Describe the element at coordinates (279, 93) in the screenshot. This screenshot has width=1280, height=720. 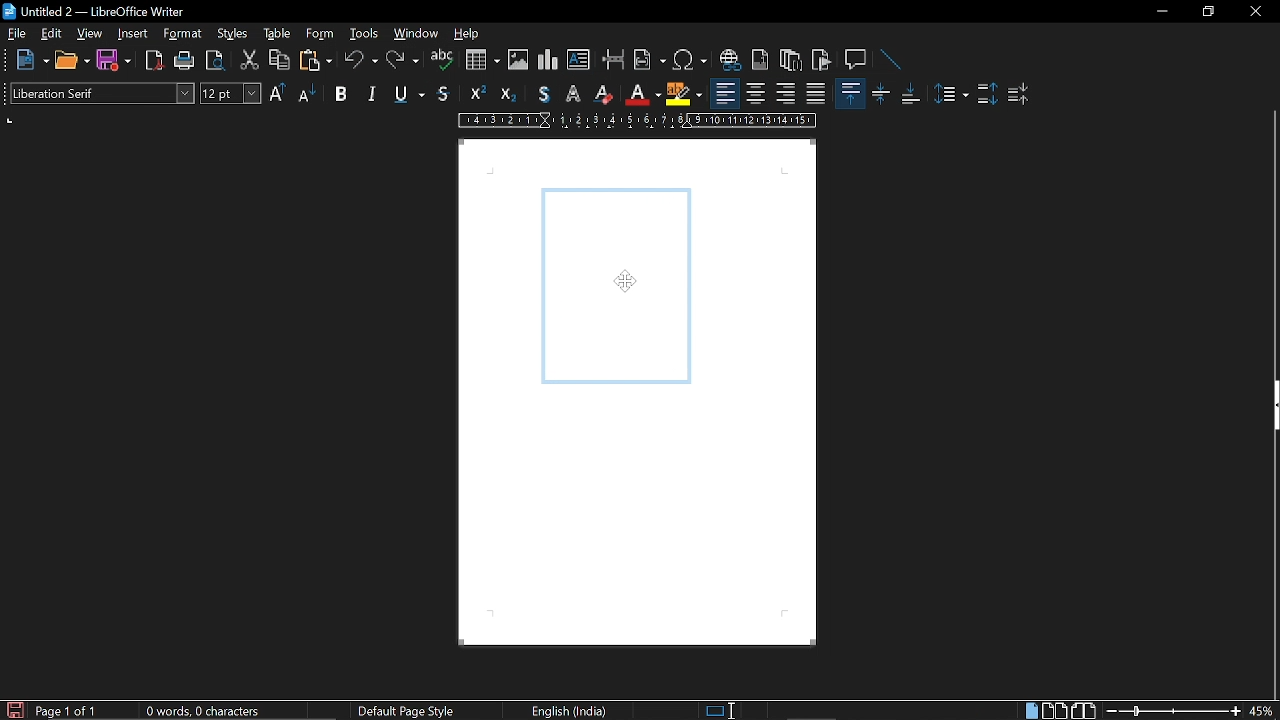
I see `Increase text size` at that location.